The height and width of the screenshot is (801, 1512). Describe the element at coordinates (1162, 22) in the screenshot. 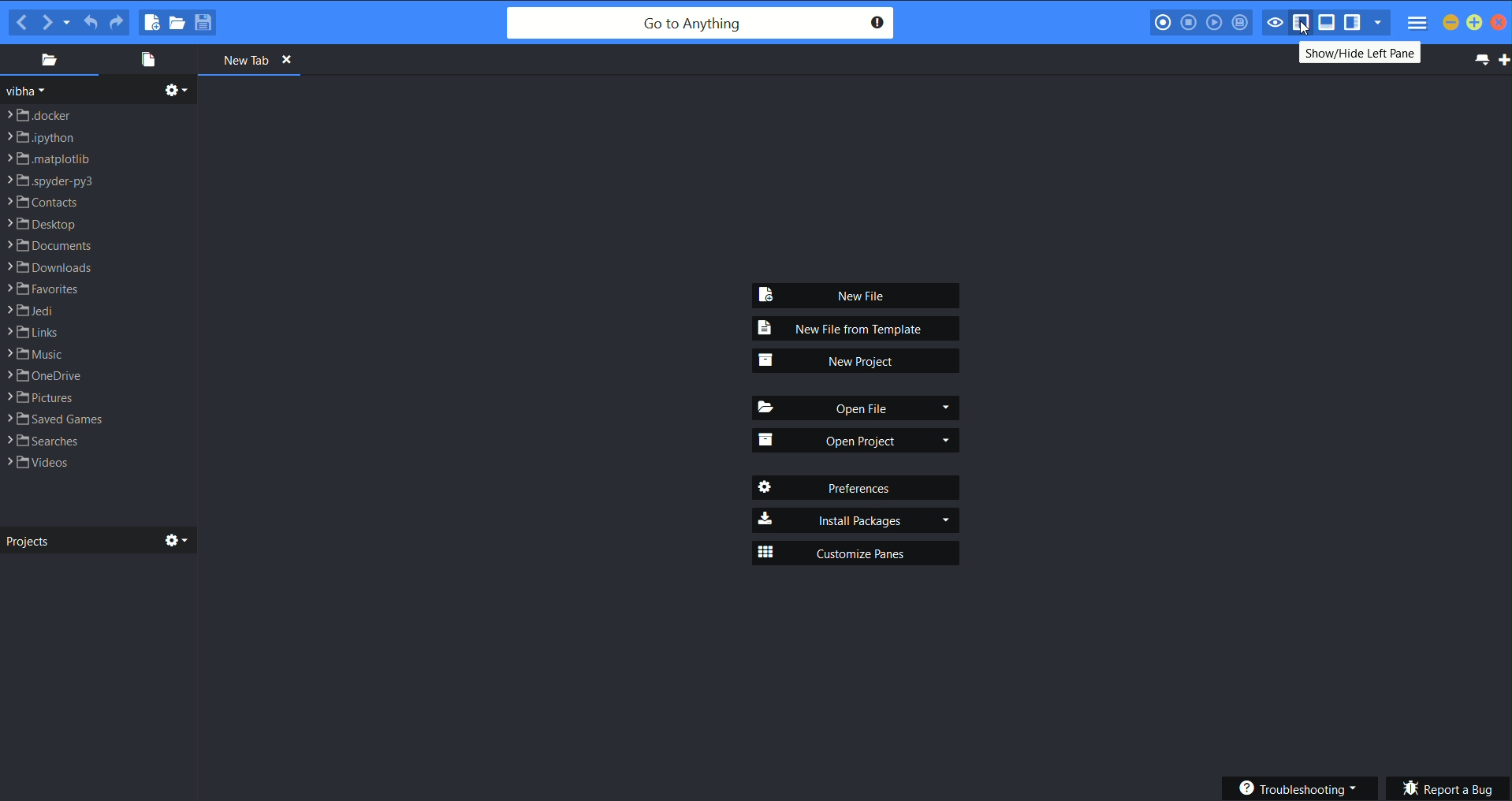

I see `record macro` at that location.